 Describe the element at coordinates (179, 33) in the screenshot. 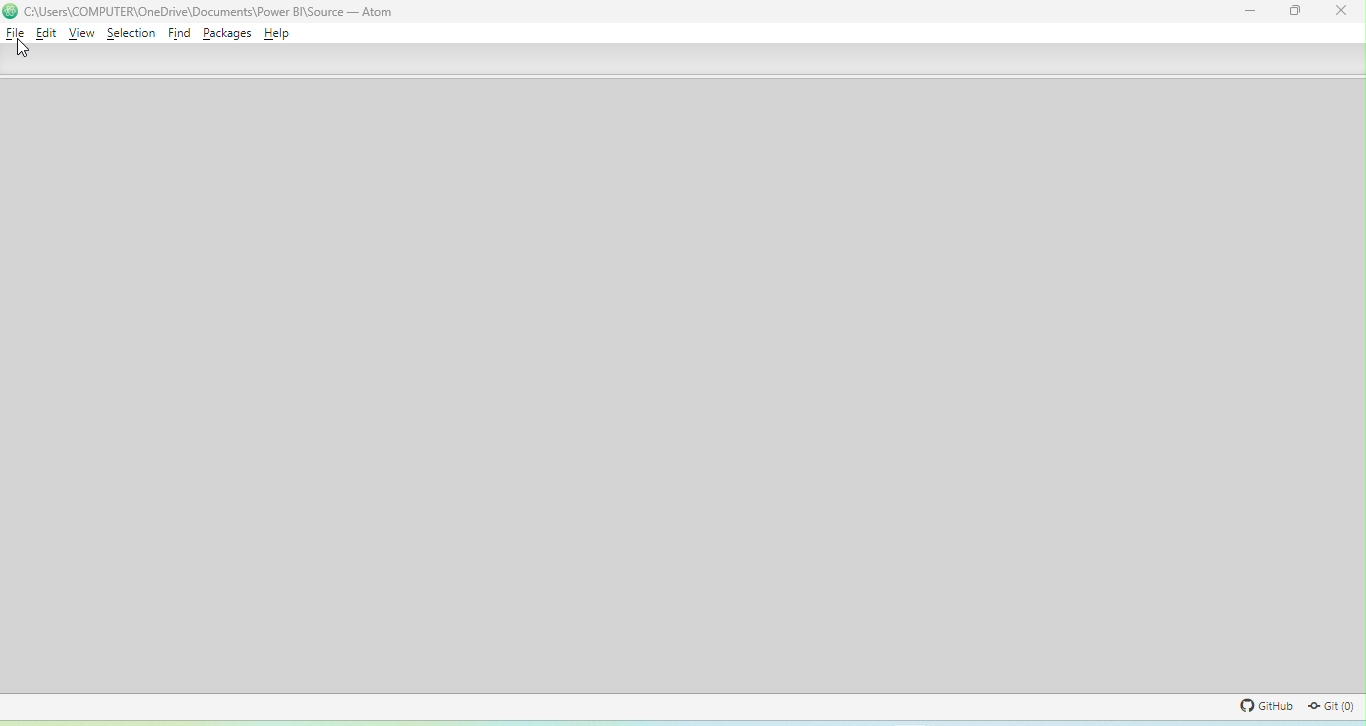

I see `find menu` at that location.